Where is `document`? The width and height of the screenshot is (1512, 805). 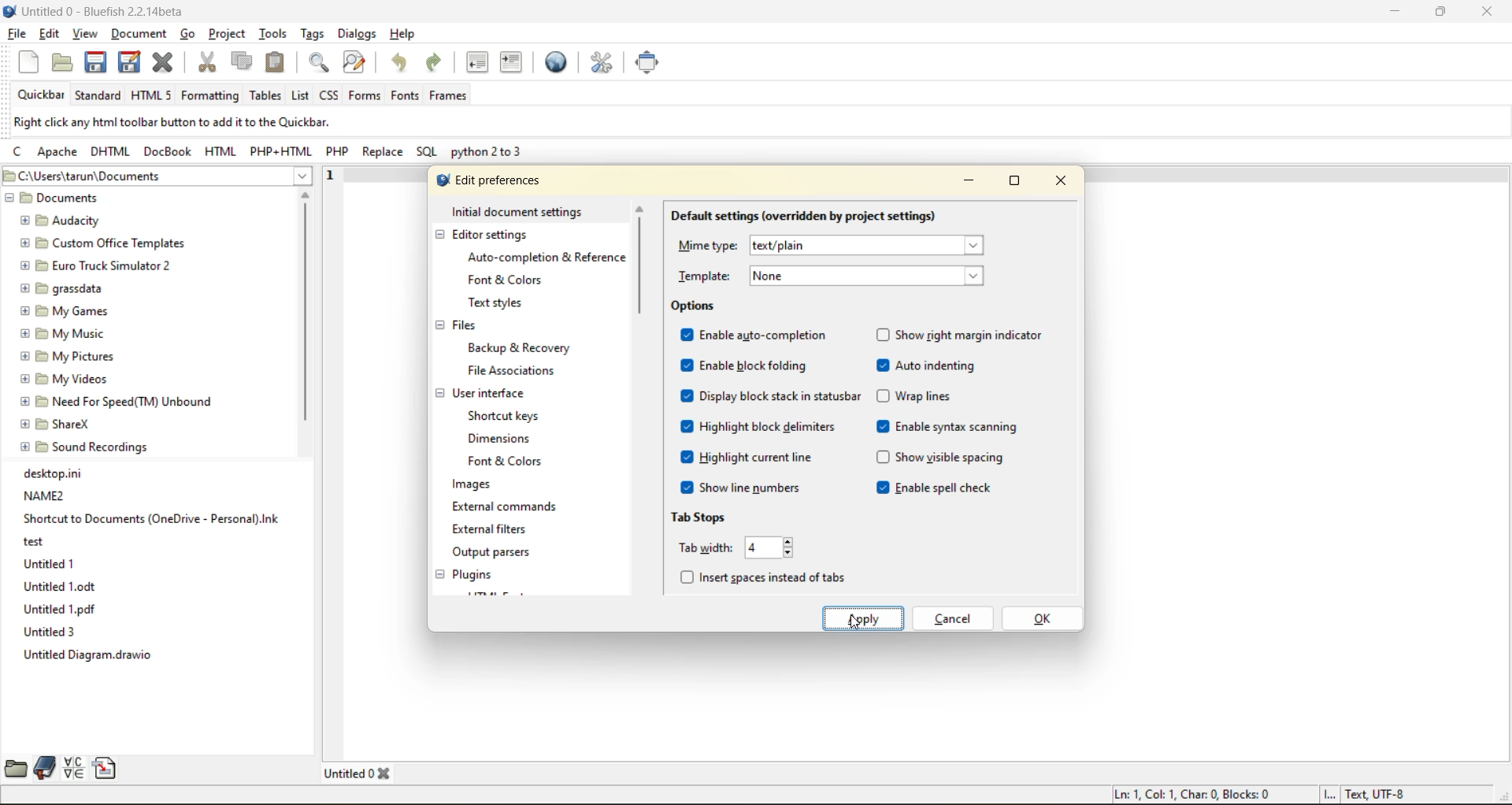
document is located at coordinates (141, 36).